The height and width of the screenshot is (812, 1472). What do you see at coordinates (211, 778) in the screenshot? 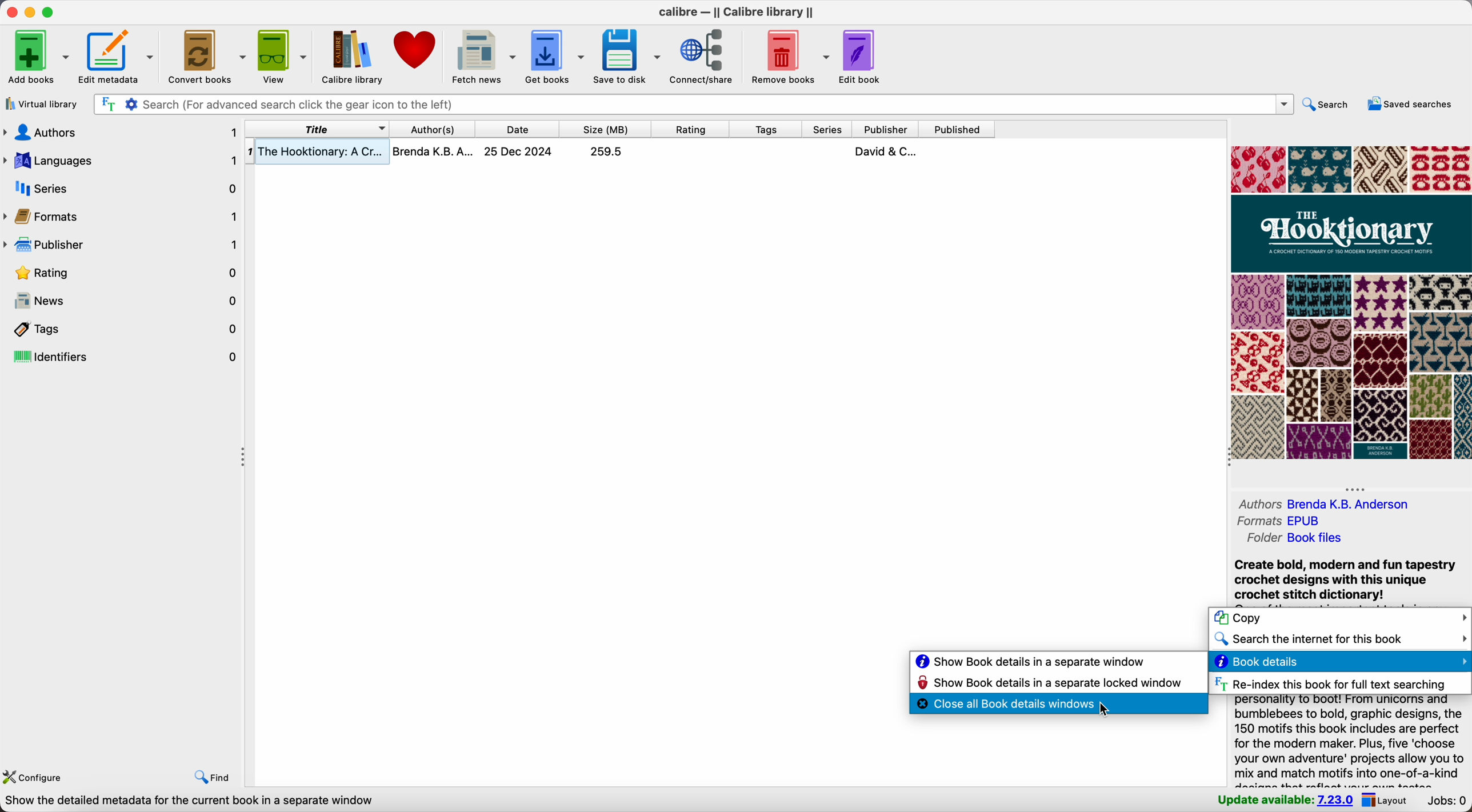
I see `find` at bounding box center [211, 778].